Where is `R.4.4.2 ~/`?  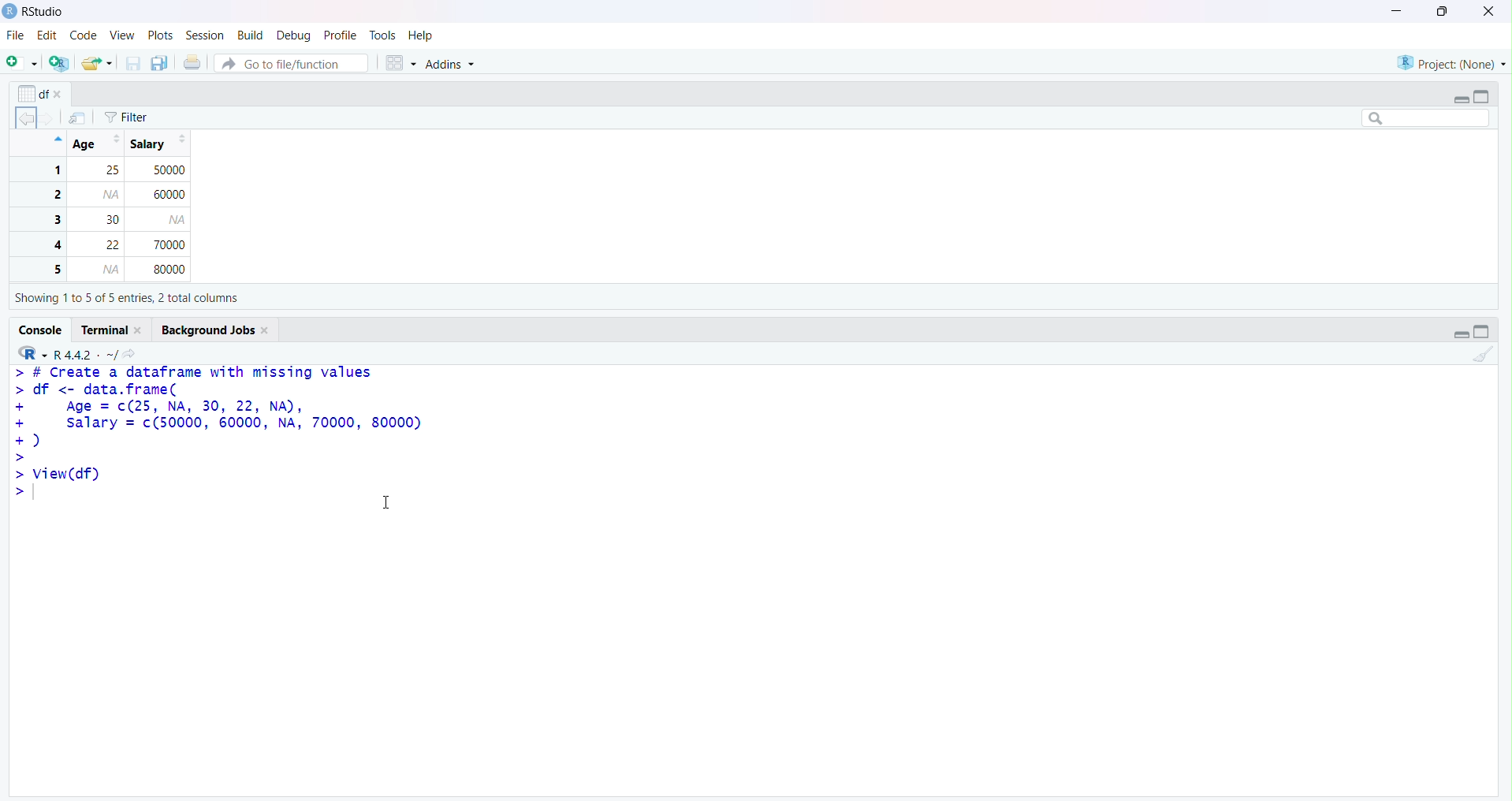
R.4.4.2 ~/ is located at coordinates (84, 351).